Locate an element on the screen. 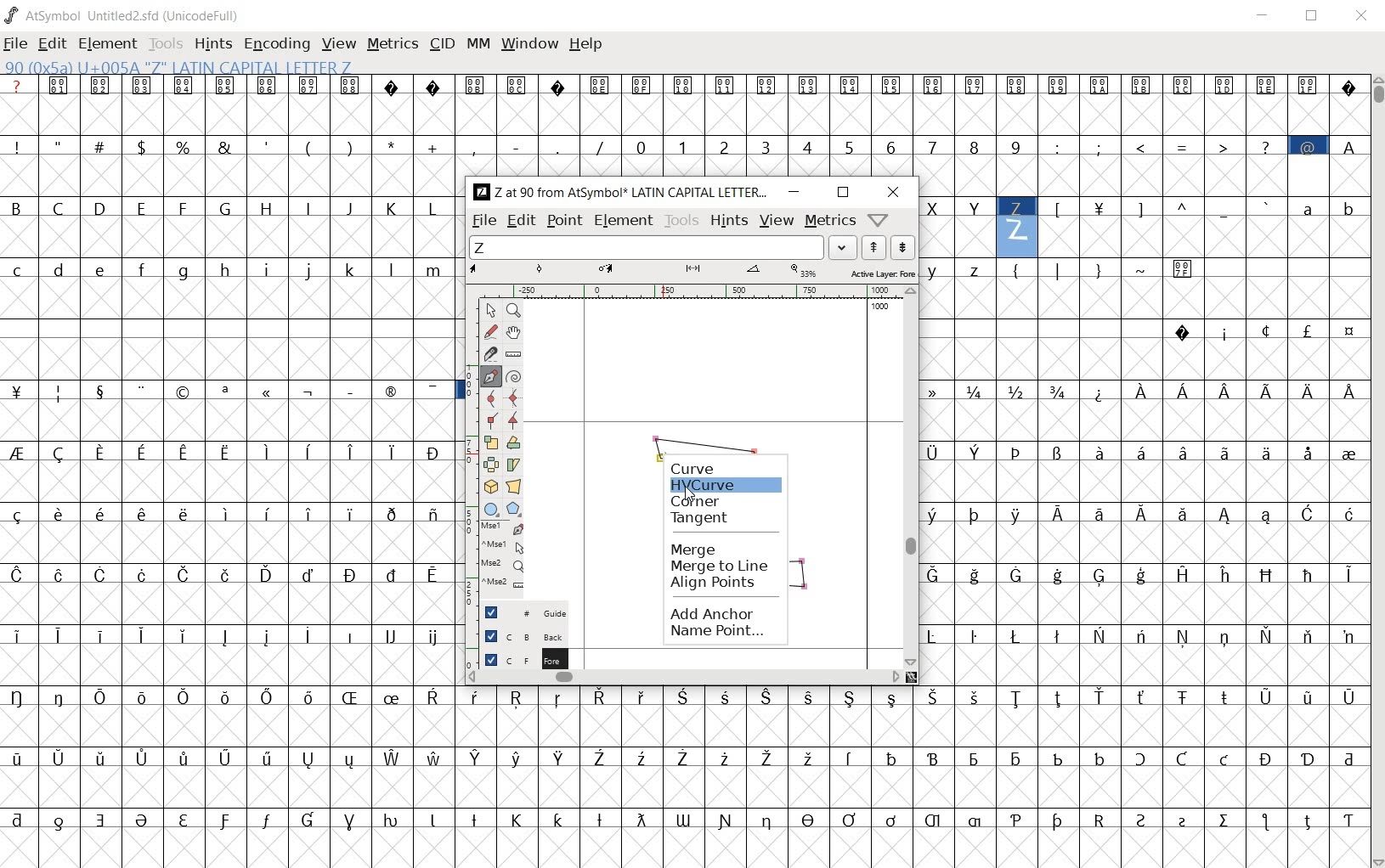 The width and height of the screenshot is (1385, 868). close is located at coordinates (1362, 14).